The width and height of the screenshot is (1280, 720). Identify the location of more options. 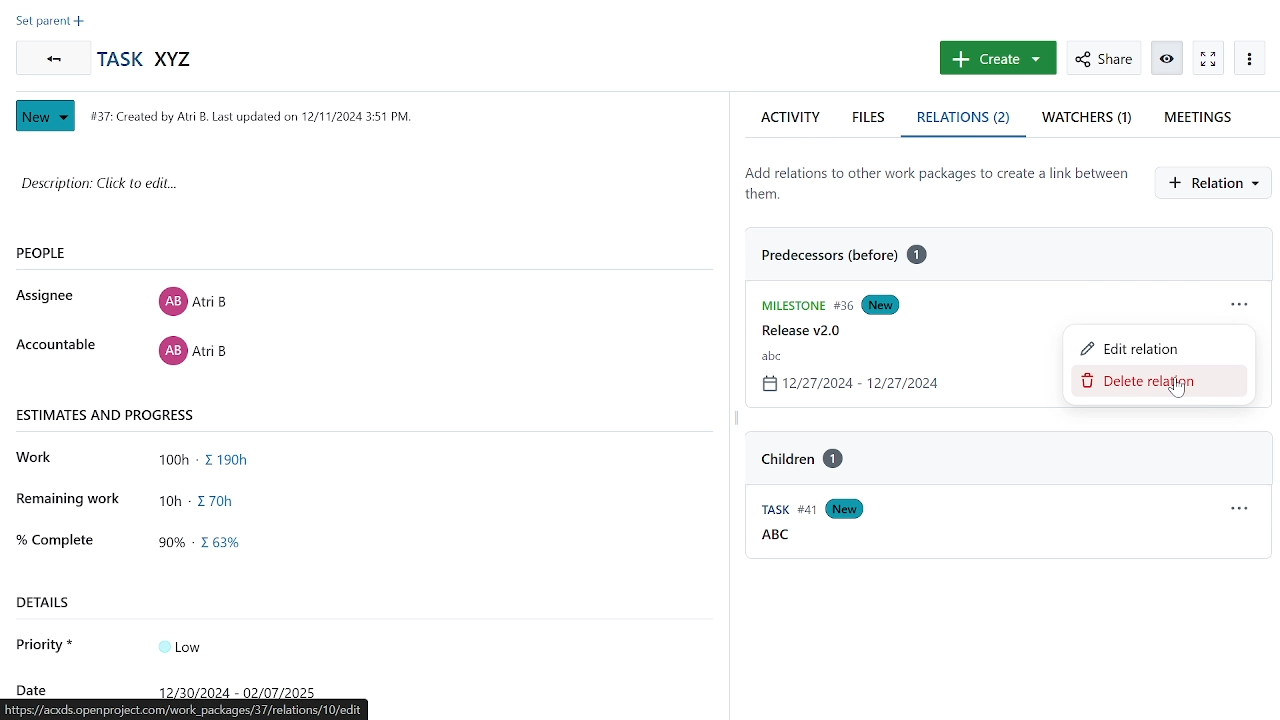
(1249, 58).